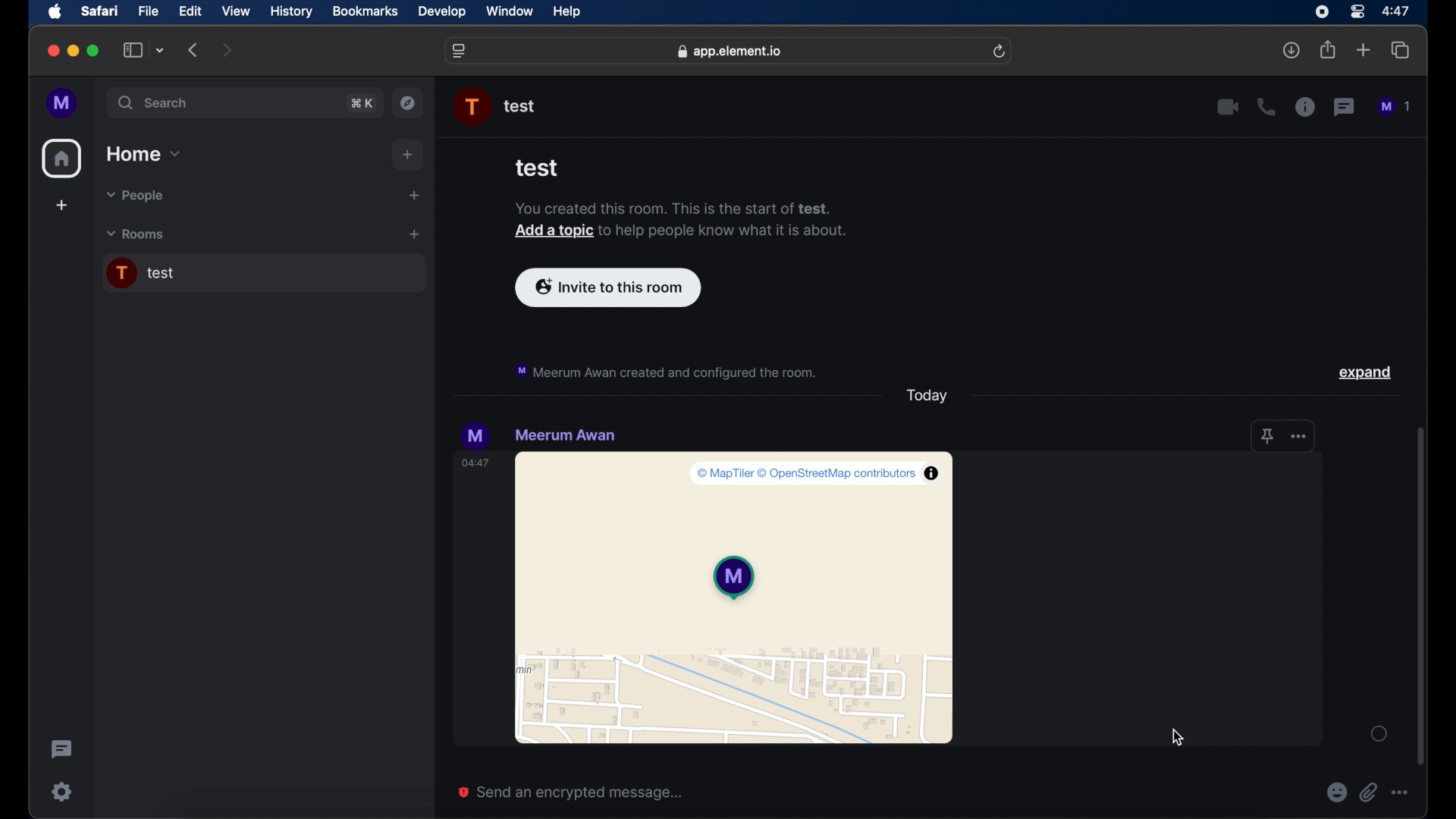  What do you see at coordinates (52, 51) in the screenshot?
I see `close` at bounding box center [52, 51].